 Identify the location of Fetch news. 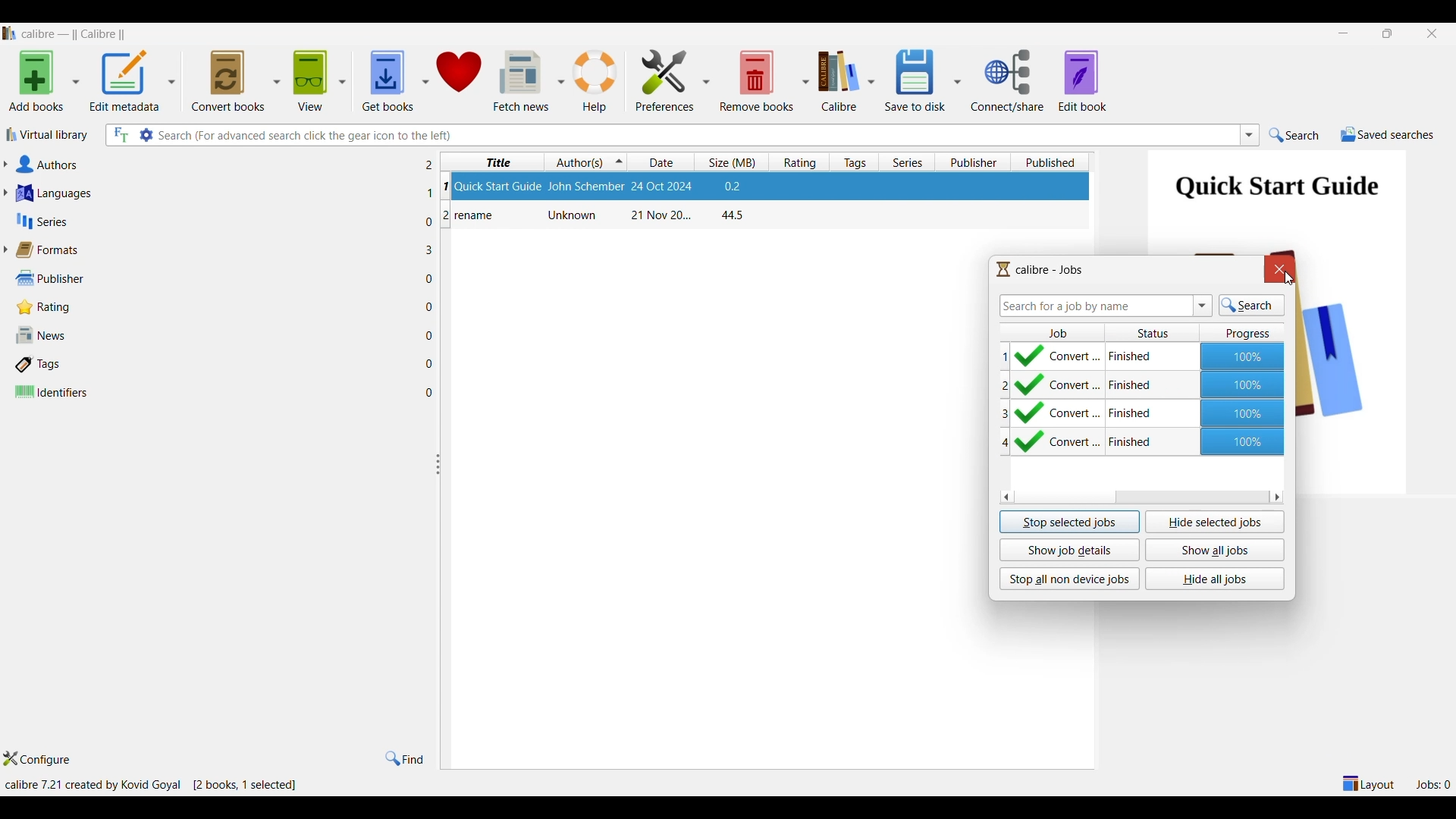
(519, 81).